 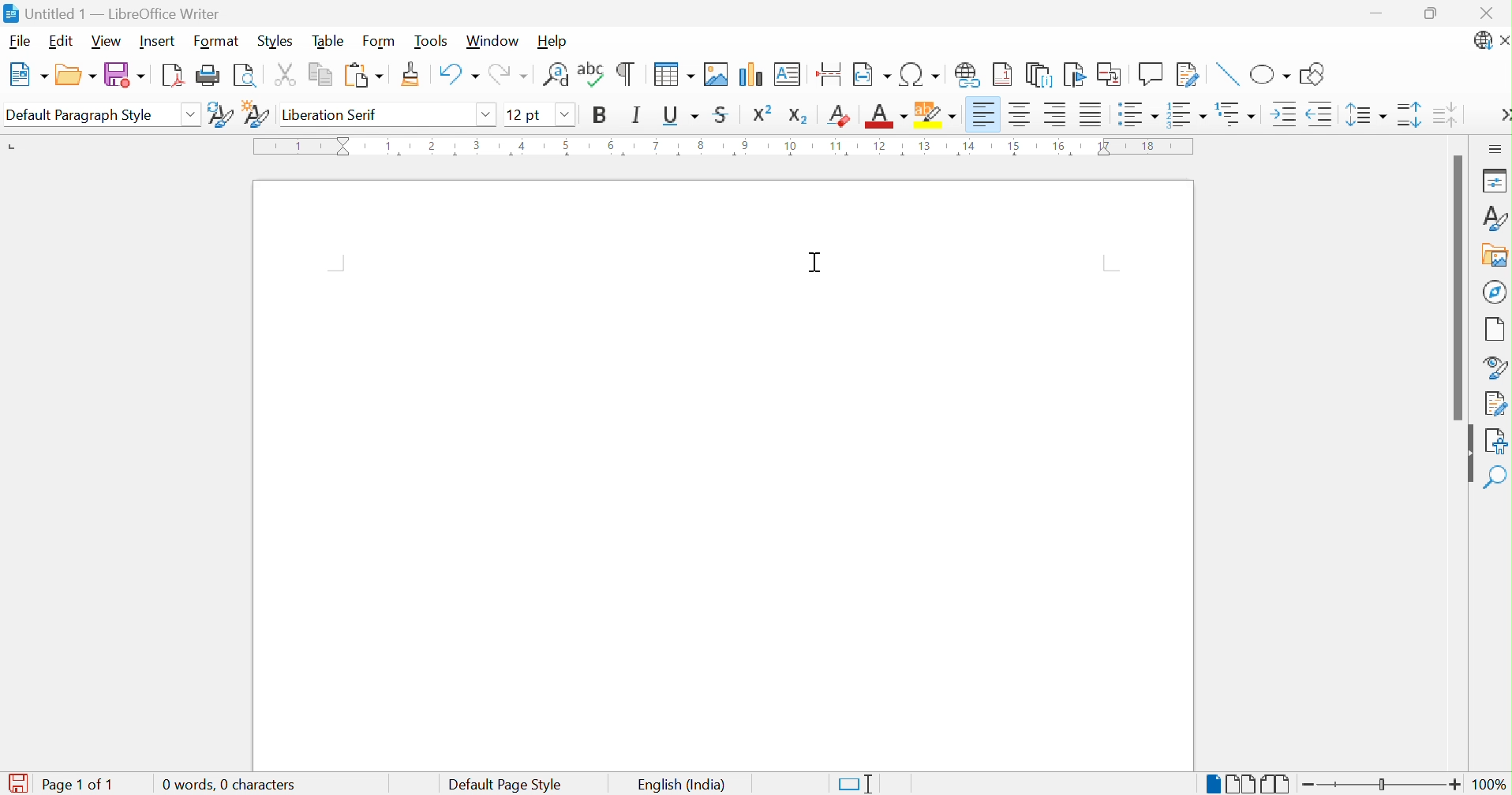 I want to click on More, so click(x=1503, y=115).